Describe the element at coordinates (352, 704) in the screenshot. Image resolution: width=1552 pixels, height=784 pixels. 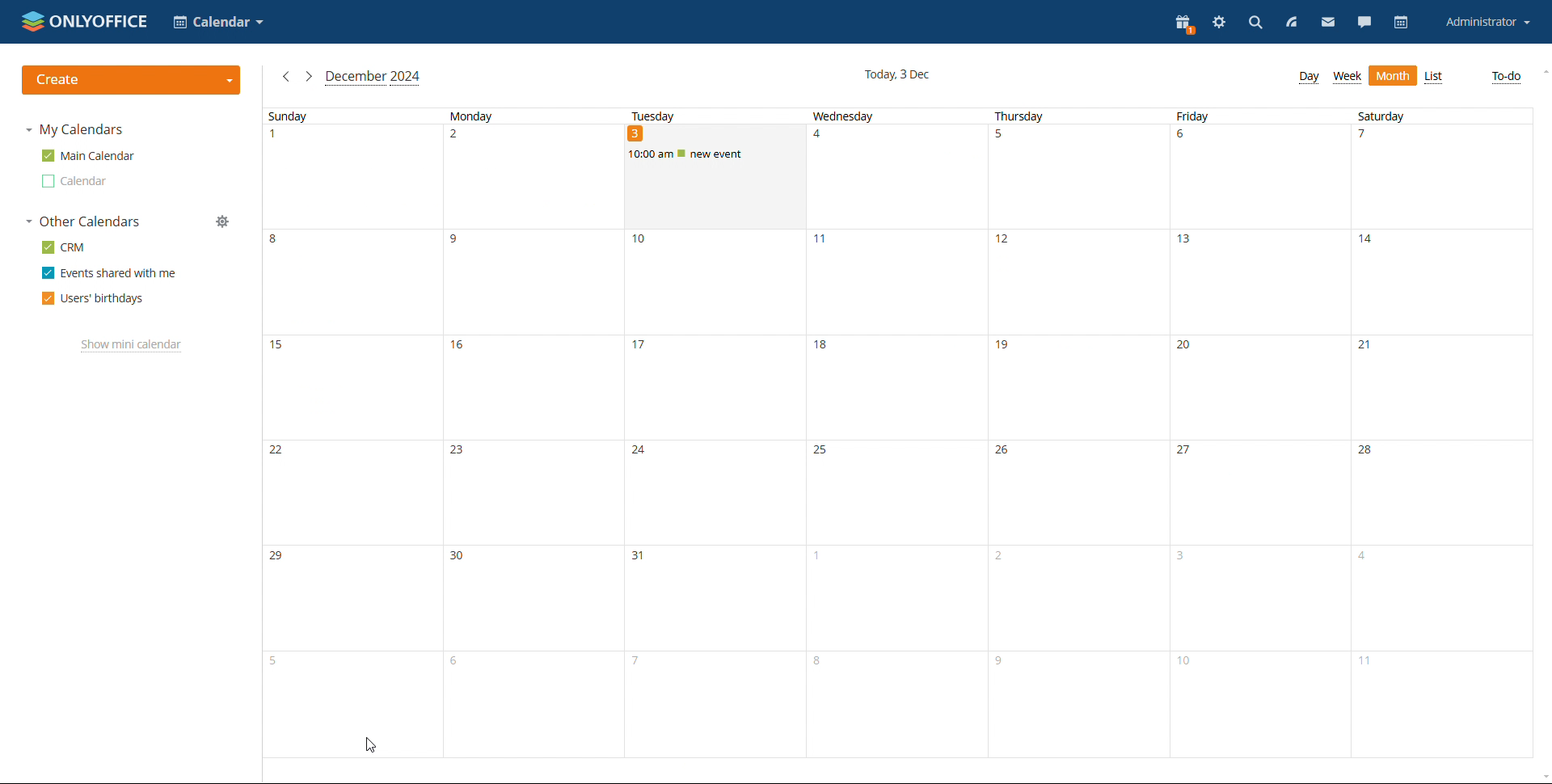
I see `5` at that location.